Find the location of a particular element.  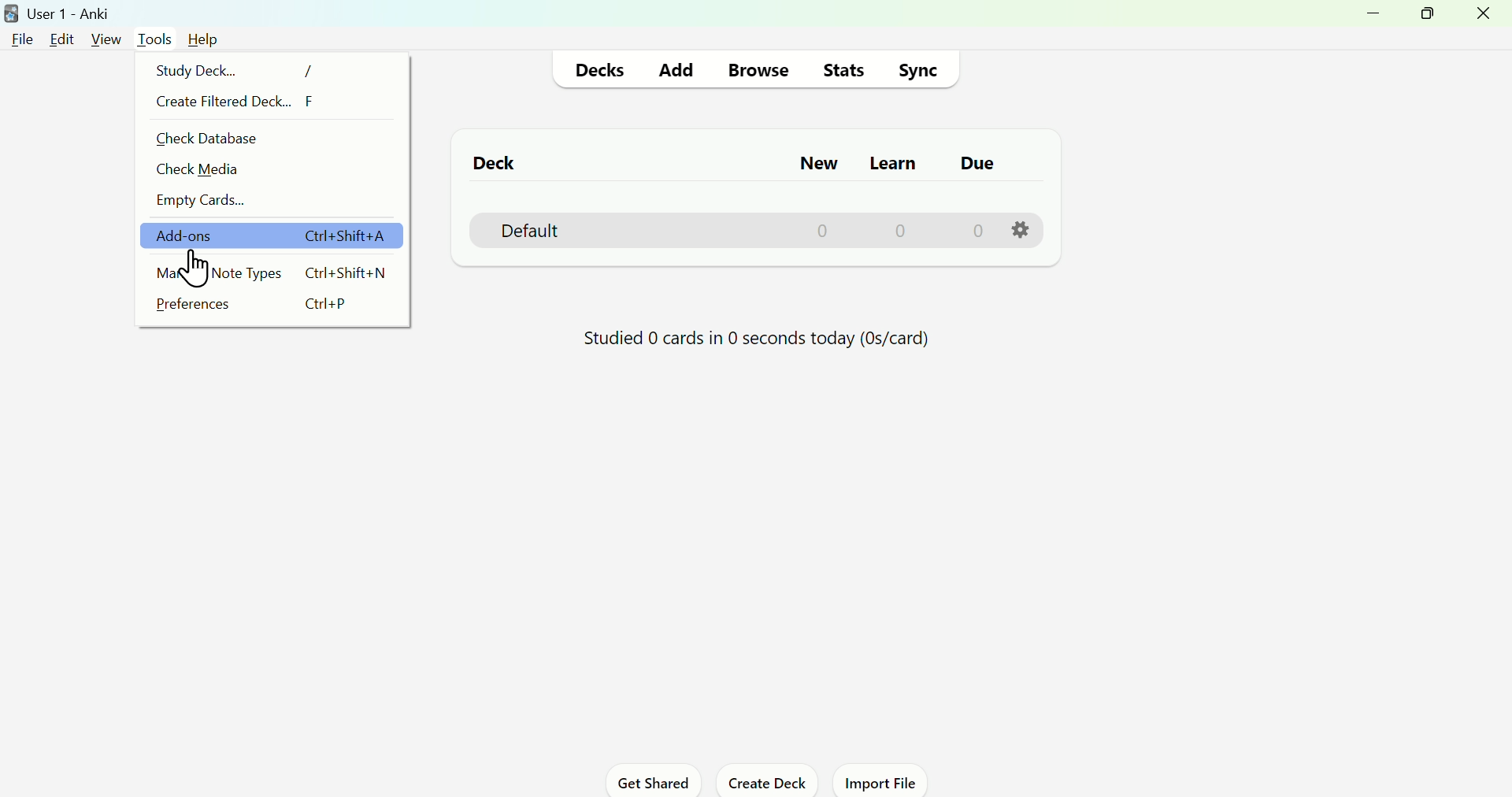

Learn is located at coordinates (891, 165).